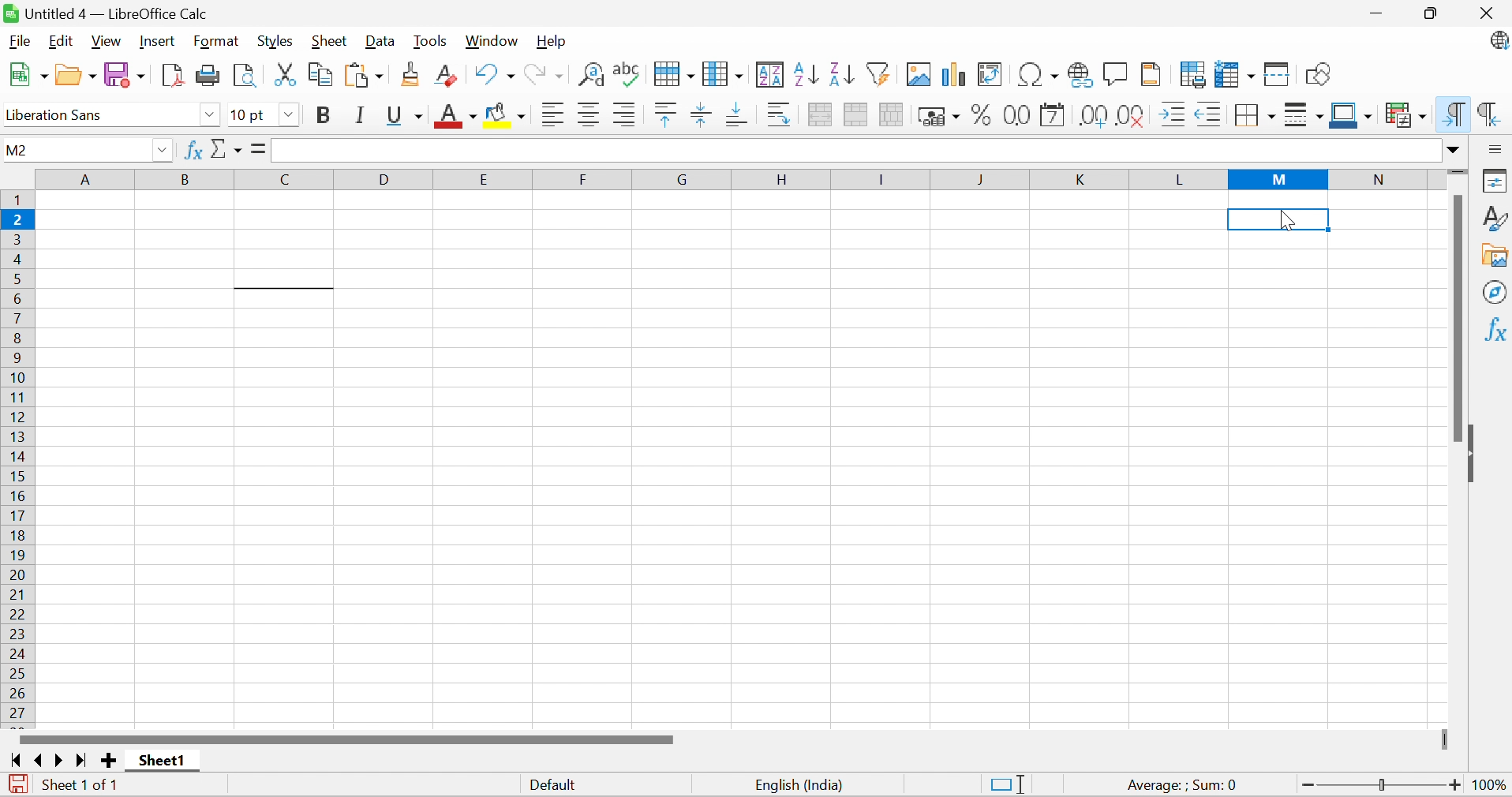 The height and width of the screenshot is (797, 1512). I want to click on Scroll bar, so click(346, 739).